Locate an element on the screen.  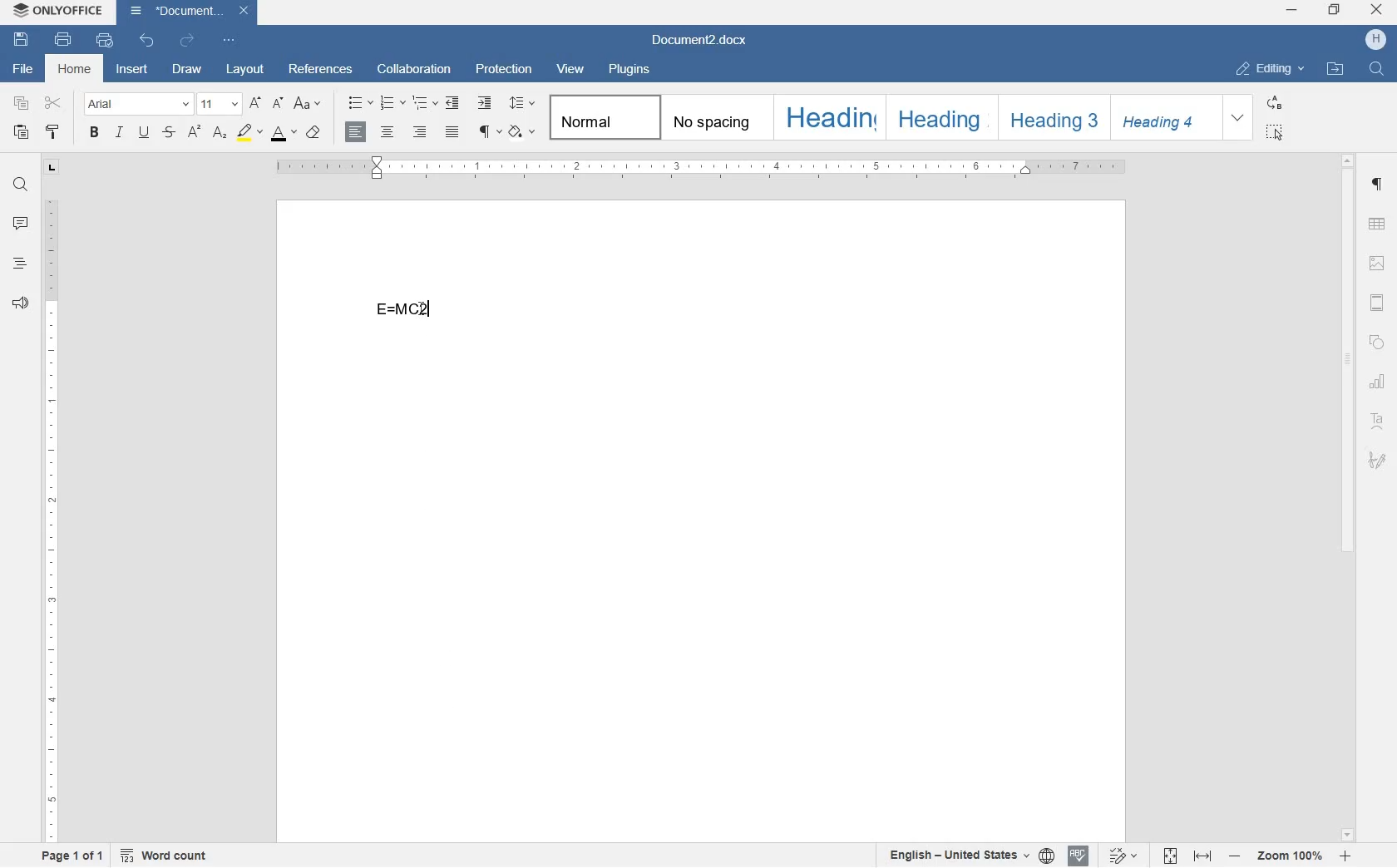
undo is located at coordinates (148, 45).